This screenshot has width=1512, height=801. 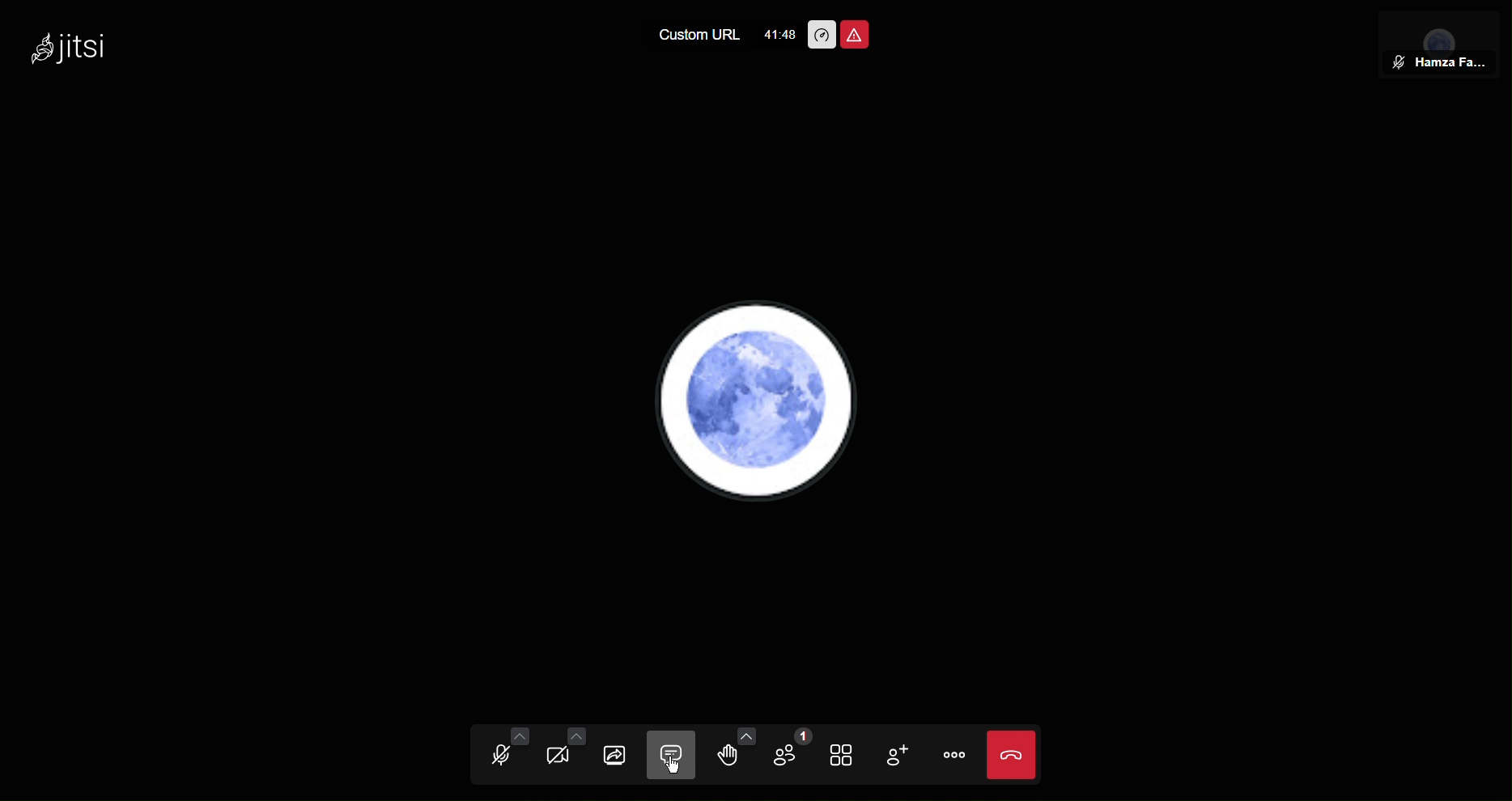 I want to click on End Call, so click(x=1013, y=756).